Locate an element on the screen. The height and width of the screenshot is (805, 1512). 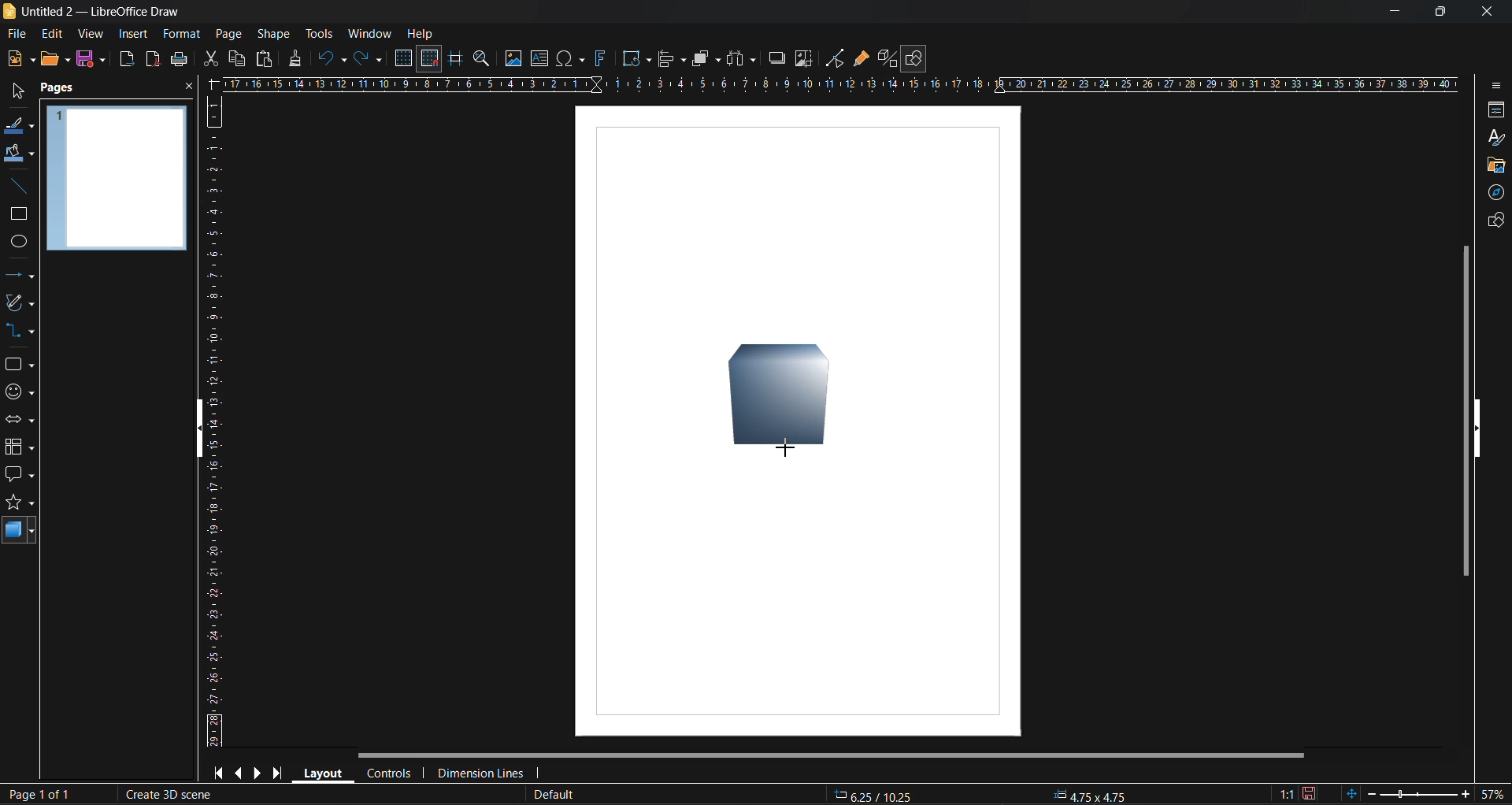
file is located at coordinates (22, 33).